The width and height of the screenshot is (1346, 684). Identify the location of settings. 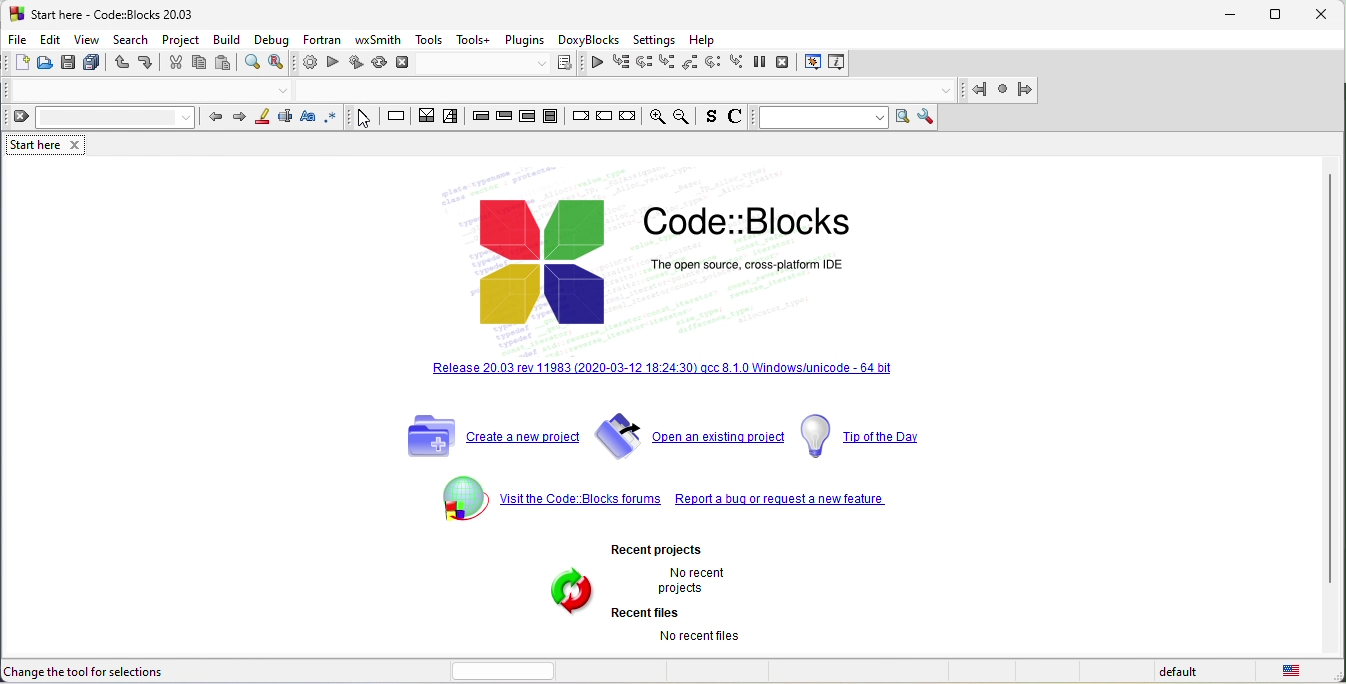
(660, 42).